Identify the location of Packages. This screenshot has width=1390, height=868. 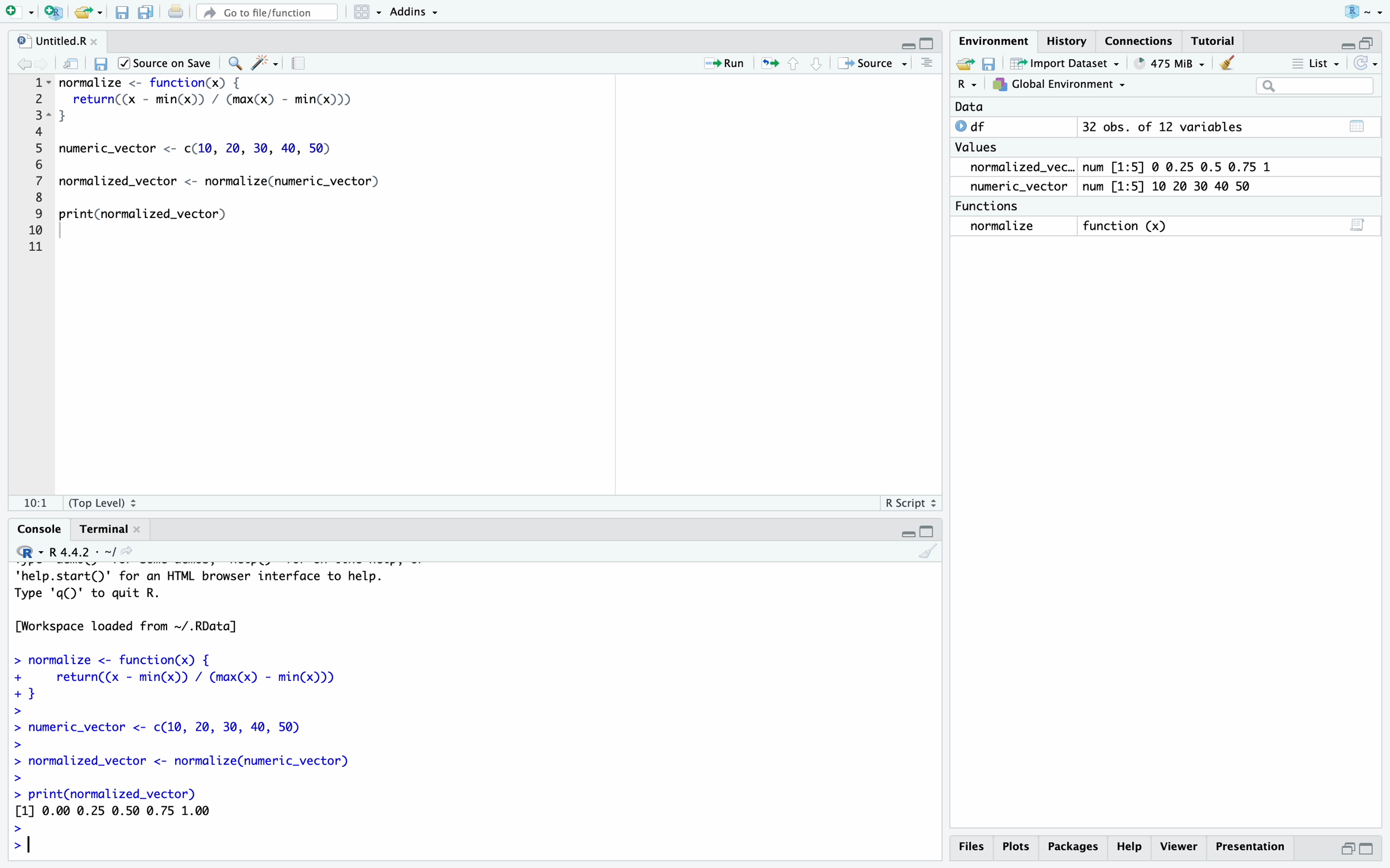
(1075, 847).